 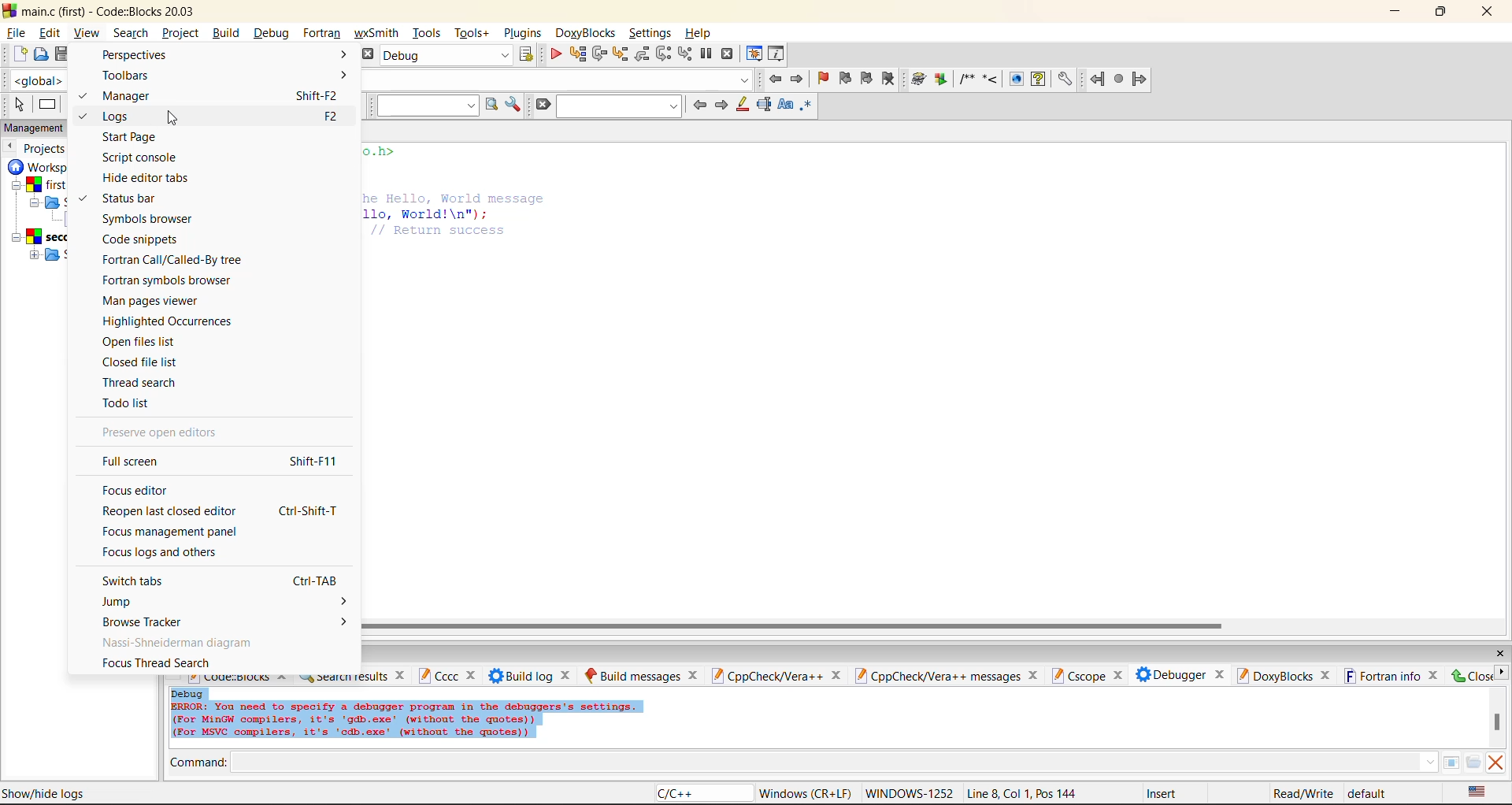 What do you see at coordinates (130, 95) in the screenshot?
I see `manager` at bounding box center [130, 95].